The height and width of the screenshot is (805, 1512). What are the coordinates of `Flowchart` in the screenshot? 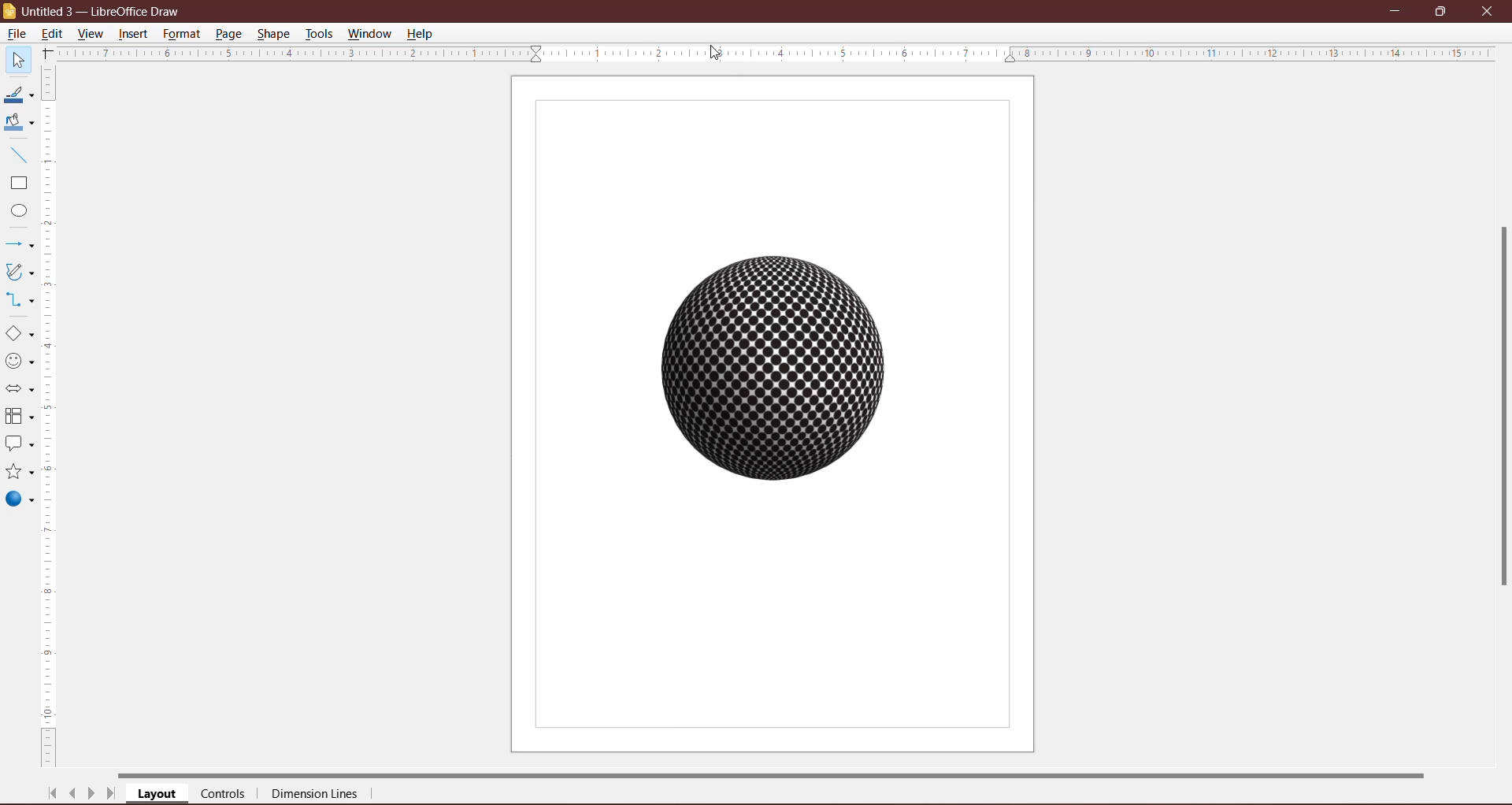 It's located at (19, 417).